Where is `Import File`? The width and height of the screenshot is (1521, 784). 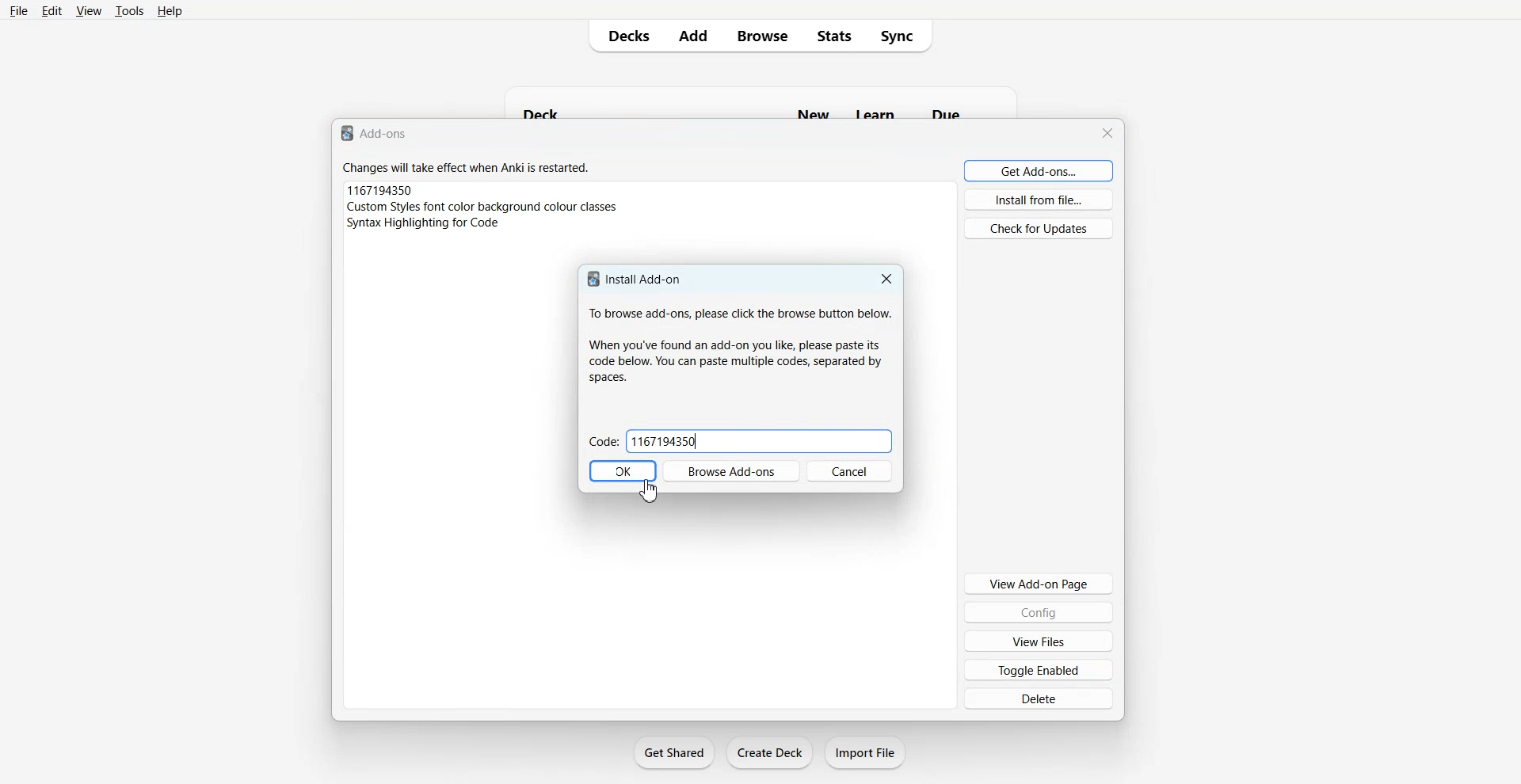 Import File is located at coordinates (866, 752).